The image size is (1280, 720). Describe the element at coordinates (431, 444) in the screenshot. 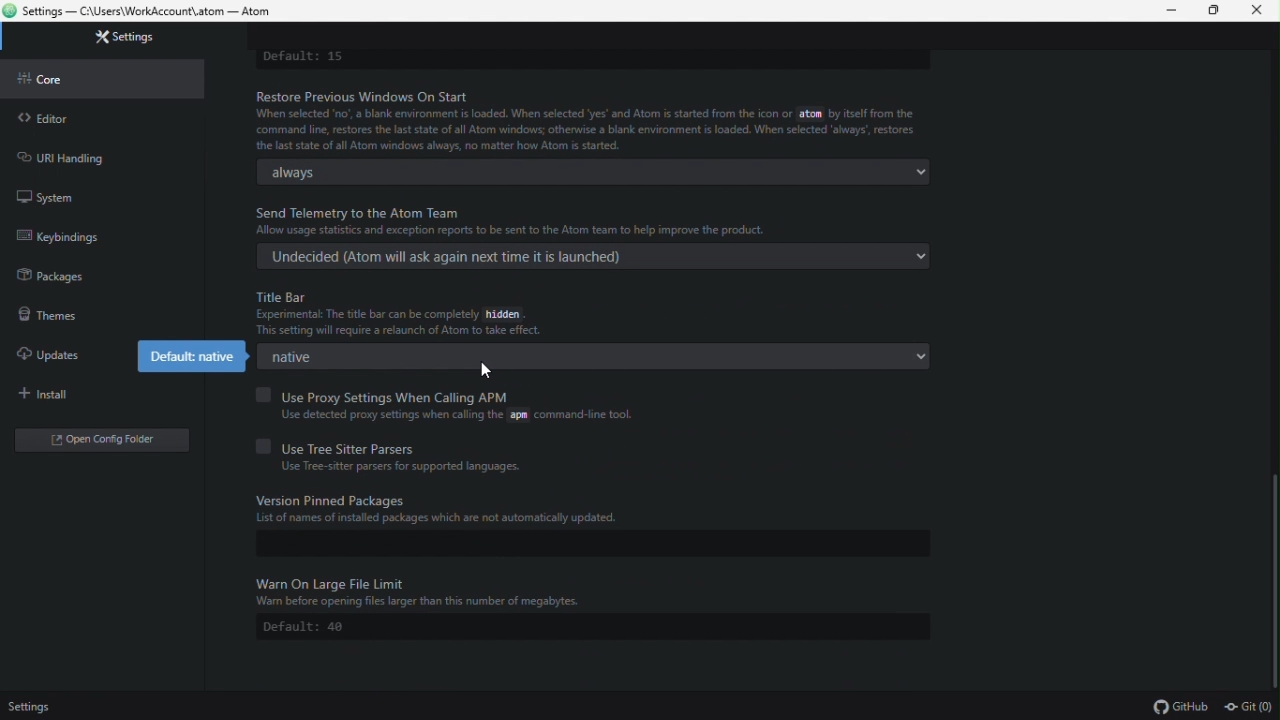

I see `Use Tree Sitter Parsers` at that location.